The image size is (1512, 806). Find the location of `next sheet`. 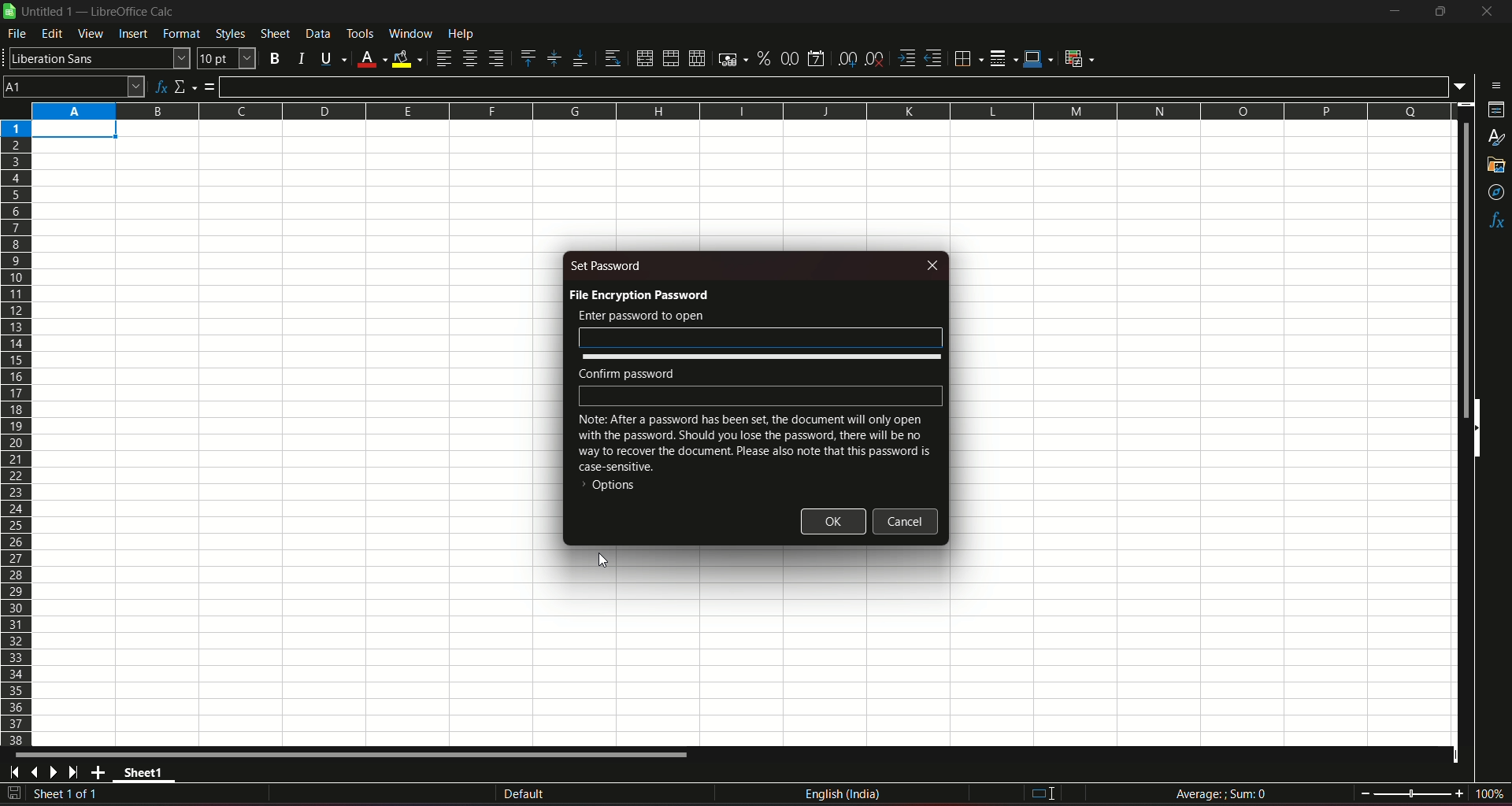

next sheet is located at coordinates (57, 773).